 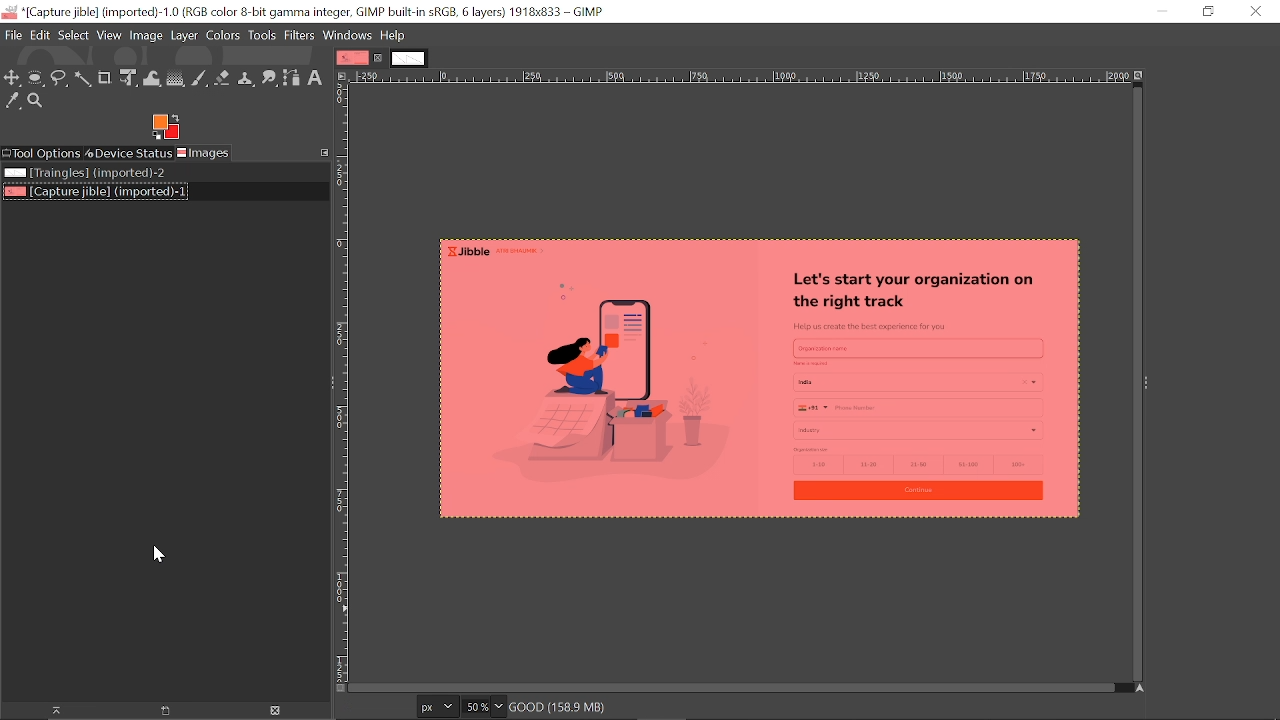 What do you see at coordinates (152, 558) in the screenshot?
I see `cursor` at bounding box center [152, 558].